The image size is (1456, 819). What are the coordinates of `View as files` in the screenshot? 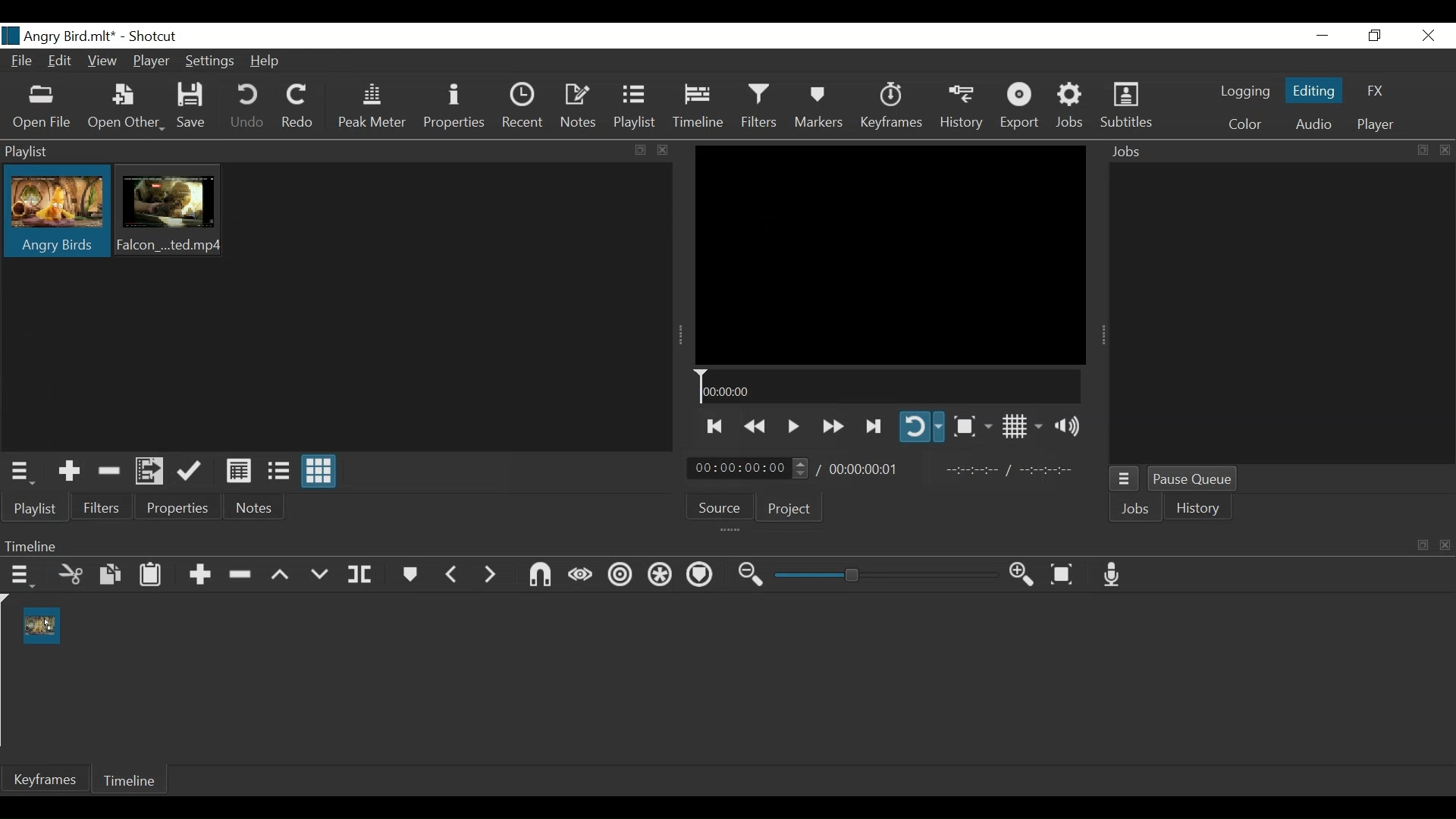 It's located at (277, 469).